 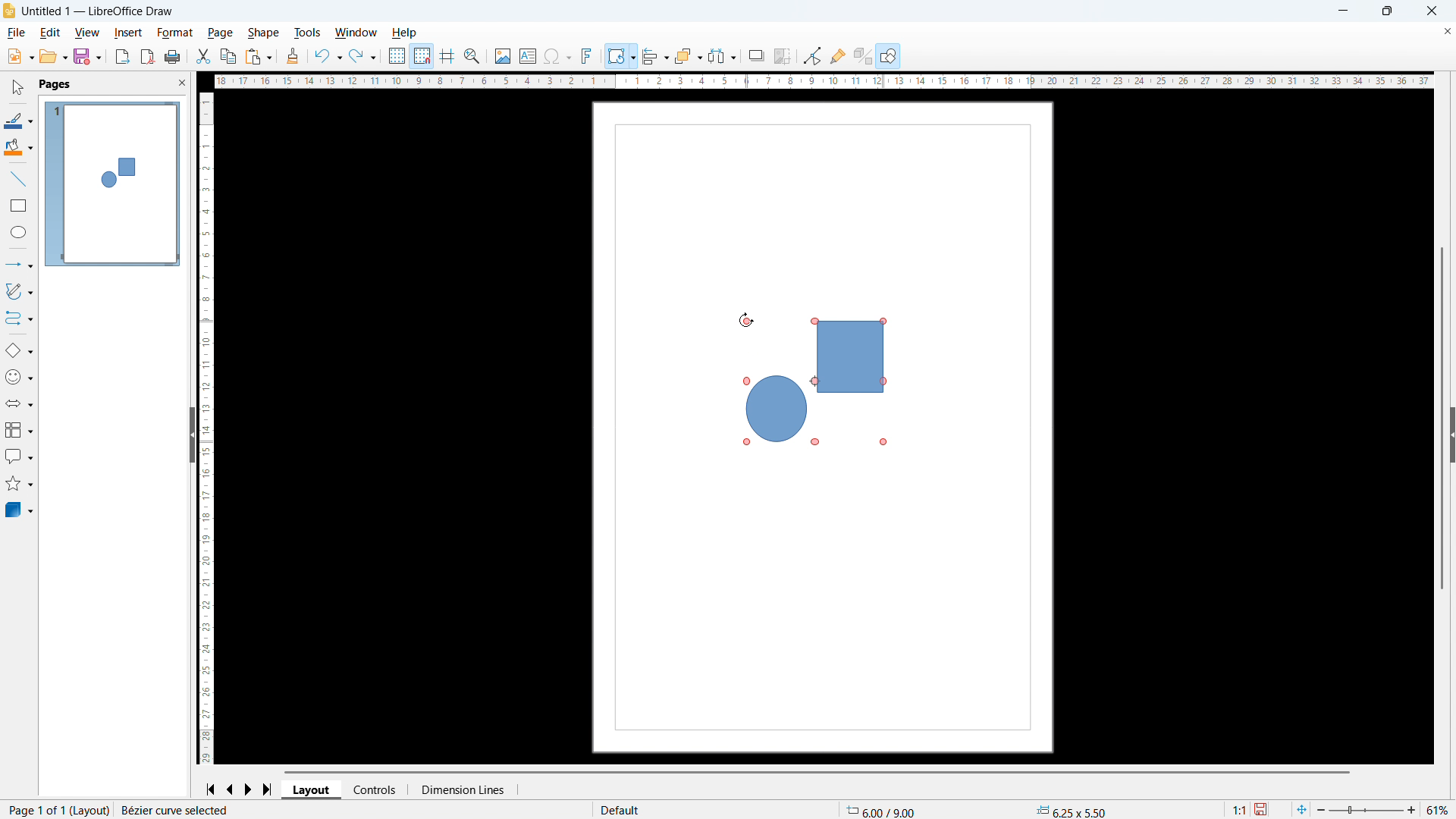 What do you see at coordinates (811, 377) in the screenshot?
I see `In rotation mode ` at bounding box center [811, 377].